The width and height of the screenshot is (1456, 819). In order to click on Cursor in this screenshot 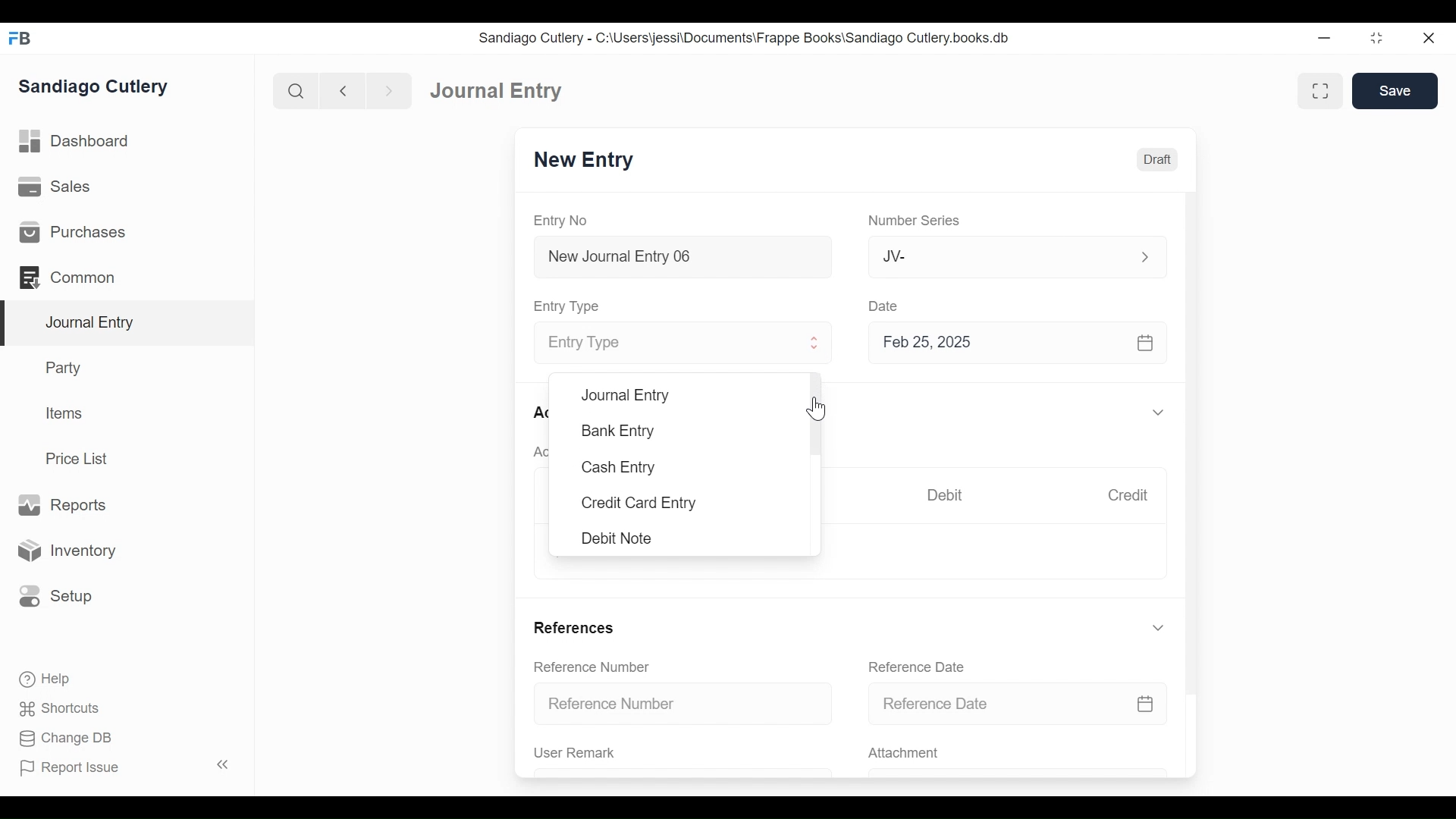, I will do `click(819, 408)`.